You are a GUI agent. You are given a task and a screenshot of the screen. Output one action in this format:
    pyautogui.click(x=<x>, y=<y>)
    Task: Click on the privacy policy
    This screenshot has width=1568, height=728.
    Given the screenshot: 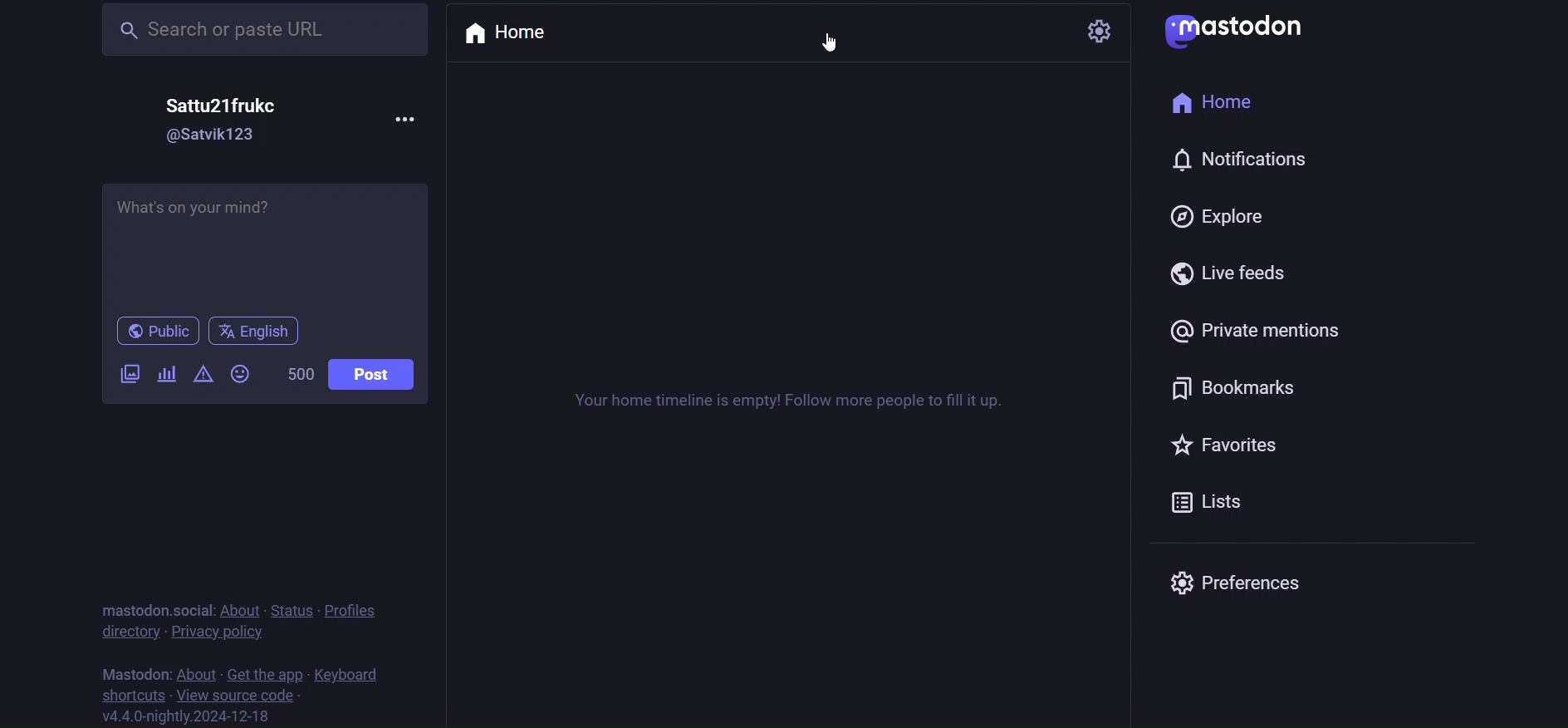 What is the action you would take?
    pyautogui.click(x=217, y=633)
    